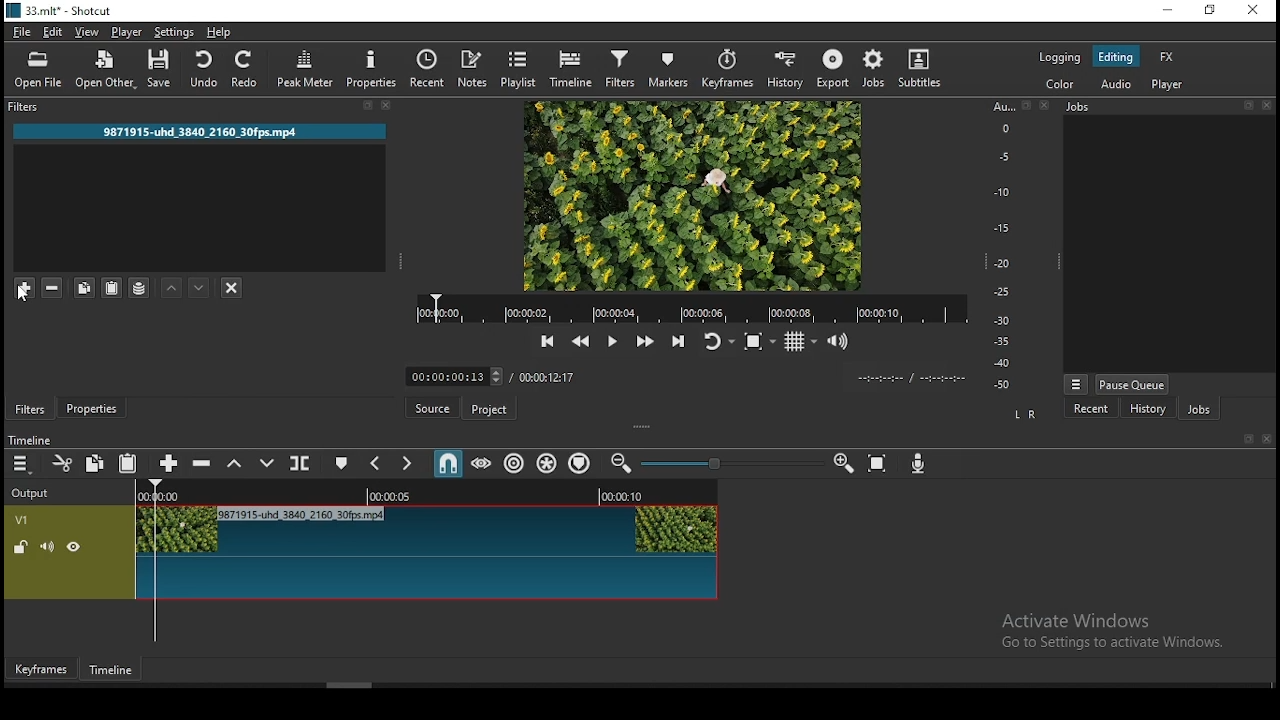 The height and width of the screenshot is (720, 1280). I want to click on resize, so click(1249, 438).